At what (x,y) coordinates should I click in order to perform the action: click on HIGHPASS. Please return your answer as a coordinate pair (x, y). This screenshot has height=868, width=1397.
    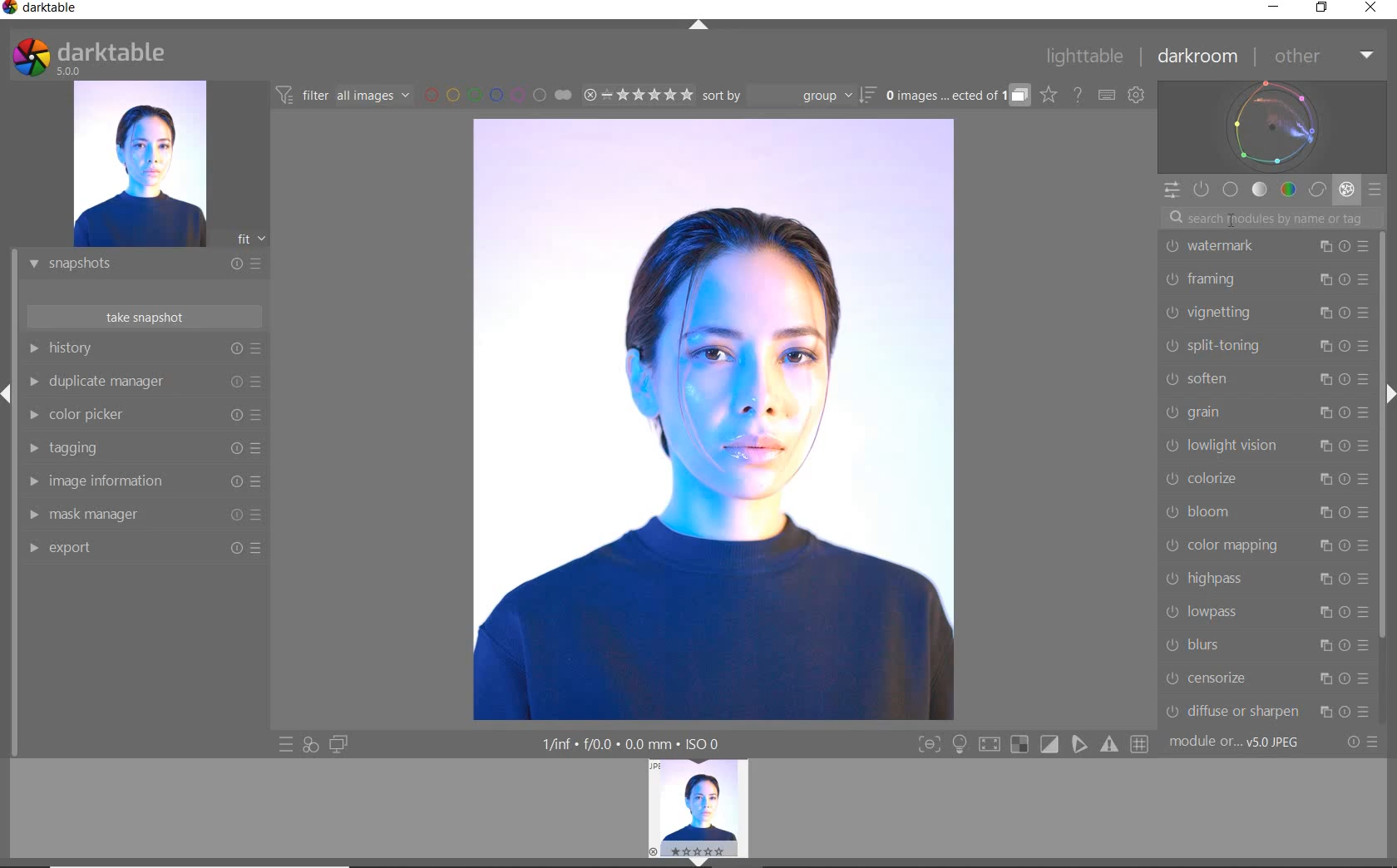
    Looking at the image, I should click on (1266, 580).